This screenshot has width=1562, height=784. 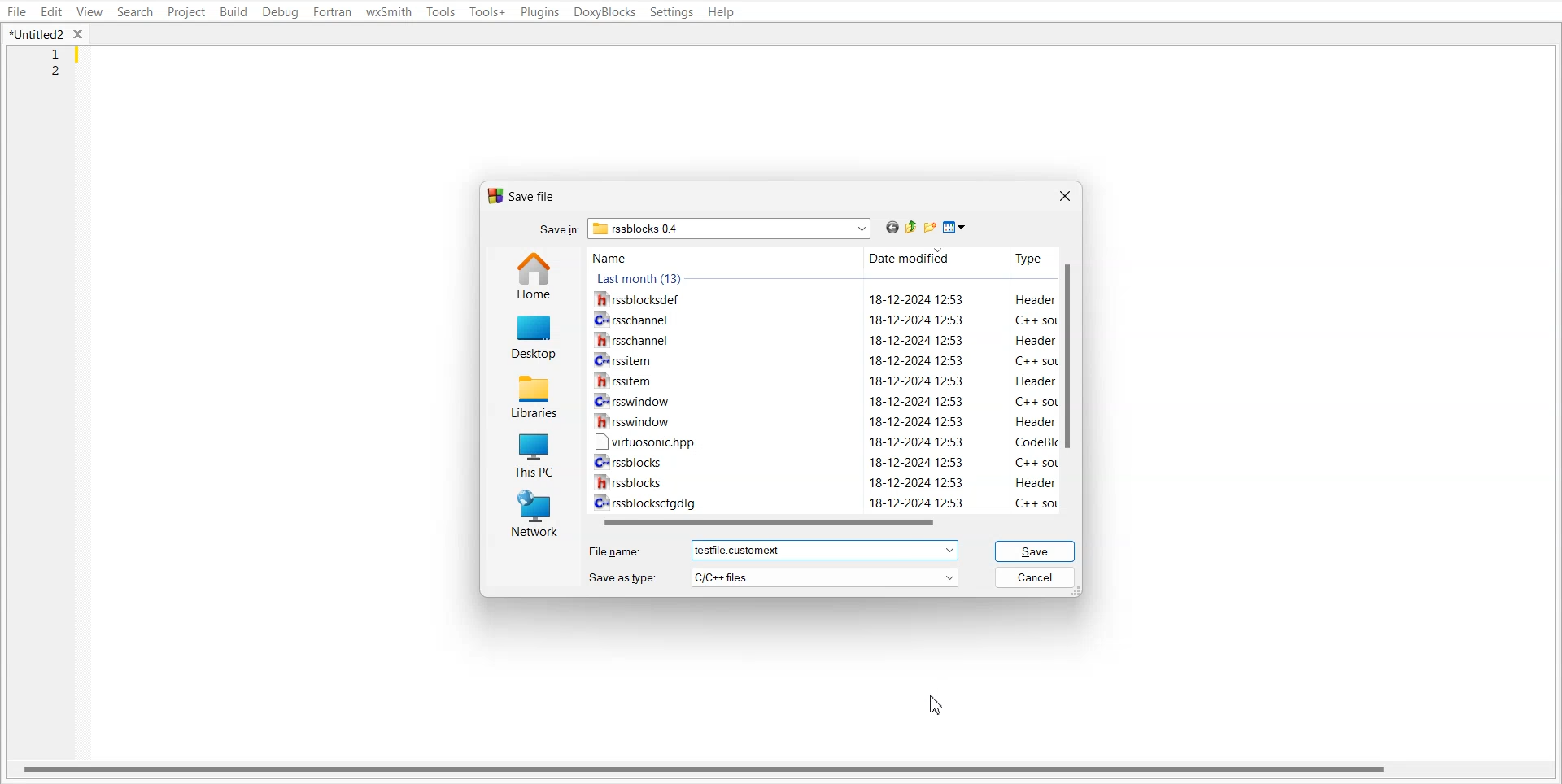 I want to click on Line Number, so click(x=46, y=58).